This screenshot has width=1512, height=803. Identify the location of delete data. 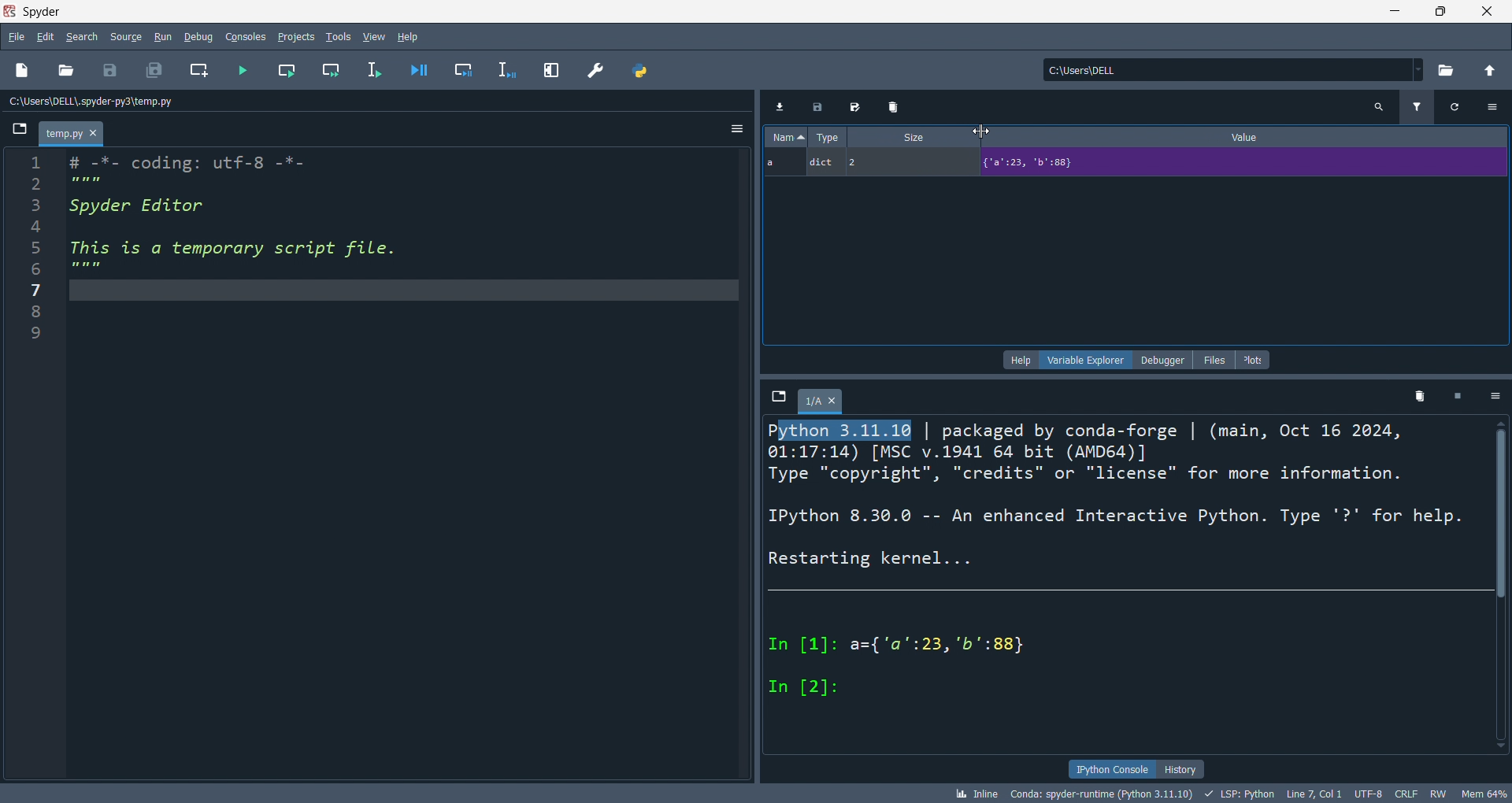
(888, 108).